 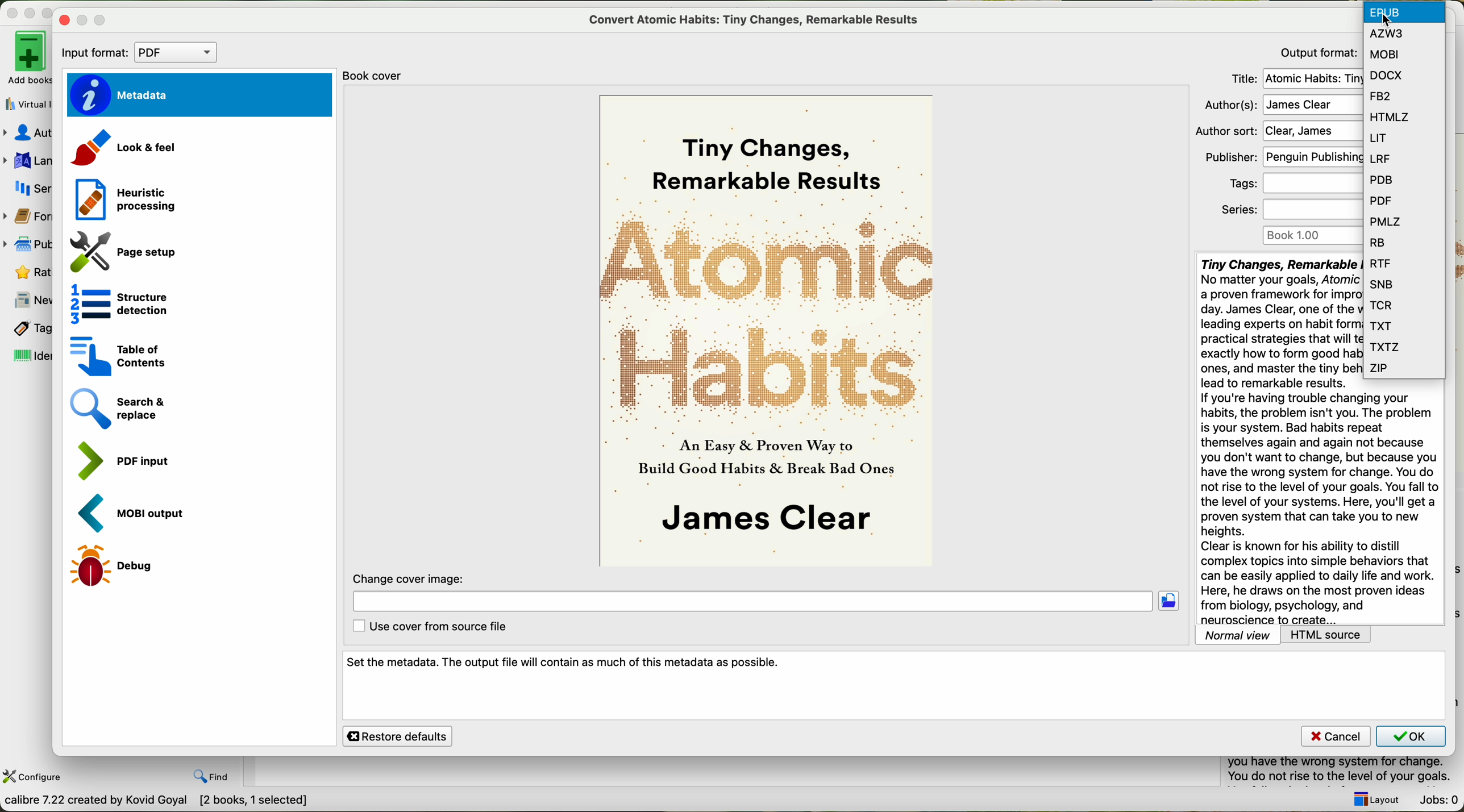 What do you see at coordinates (1275, 133) in the screenshot?
I see `Author sort` at bounding box center [1275, 133].